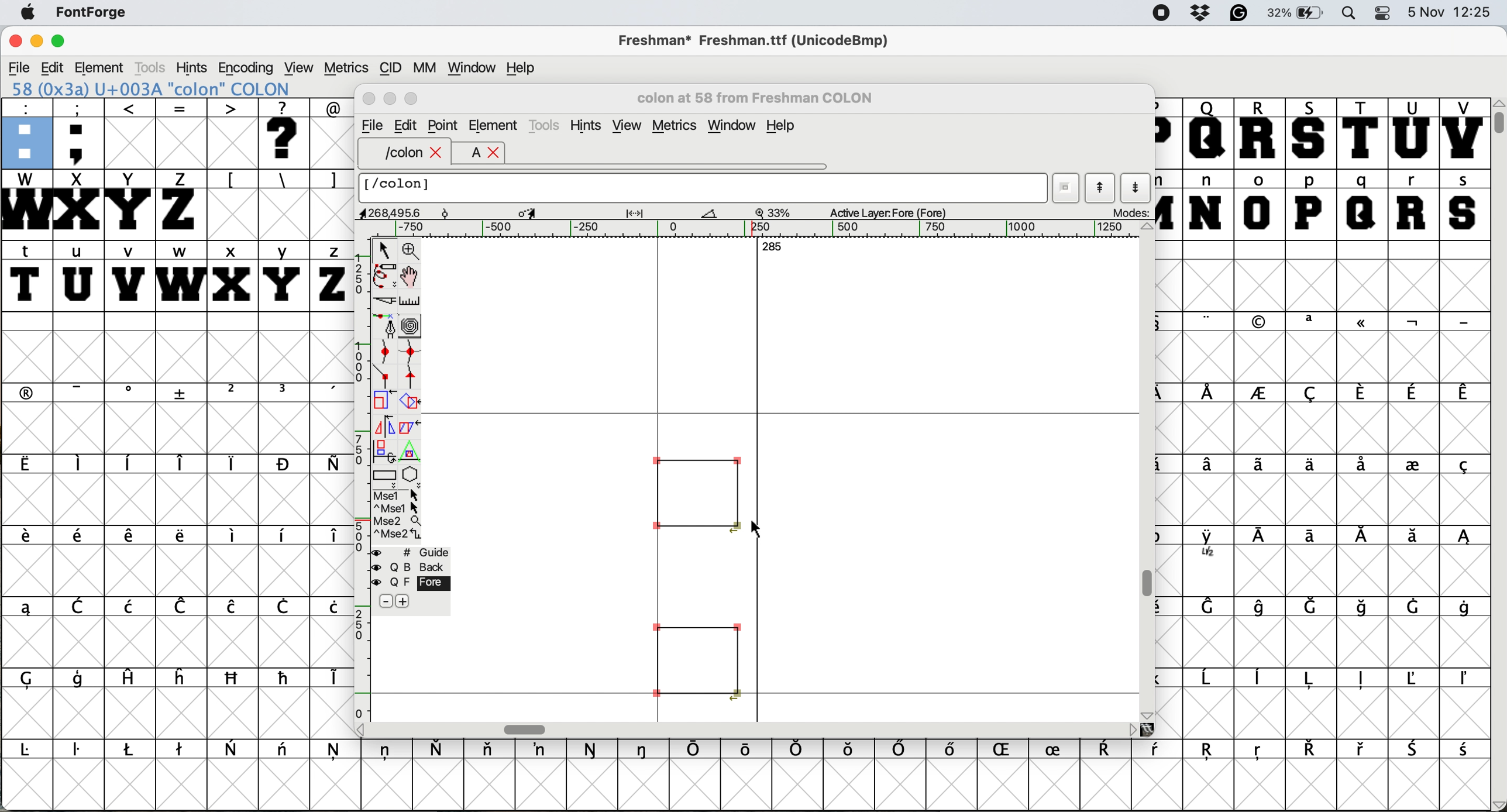 This screenshot has width=1507, height=812. What do you see at coordinates (178, 274) in the screenshot?
I see `w` at bounding box center [178, 274].